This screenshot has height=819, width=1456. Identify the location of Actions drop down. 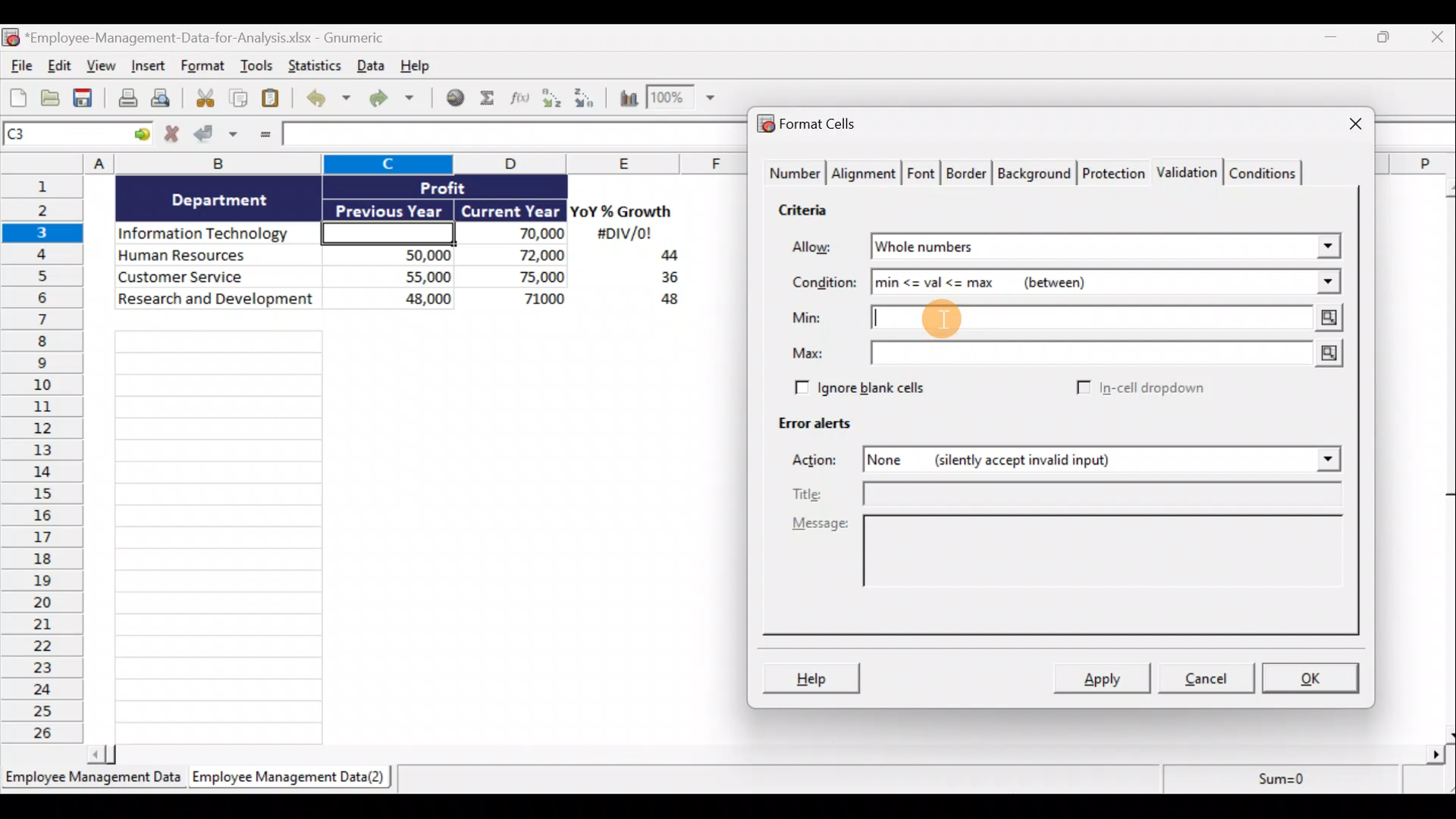
(1324, 462).